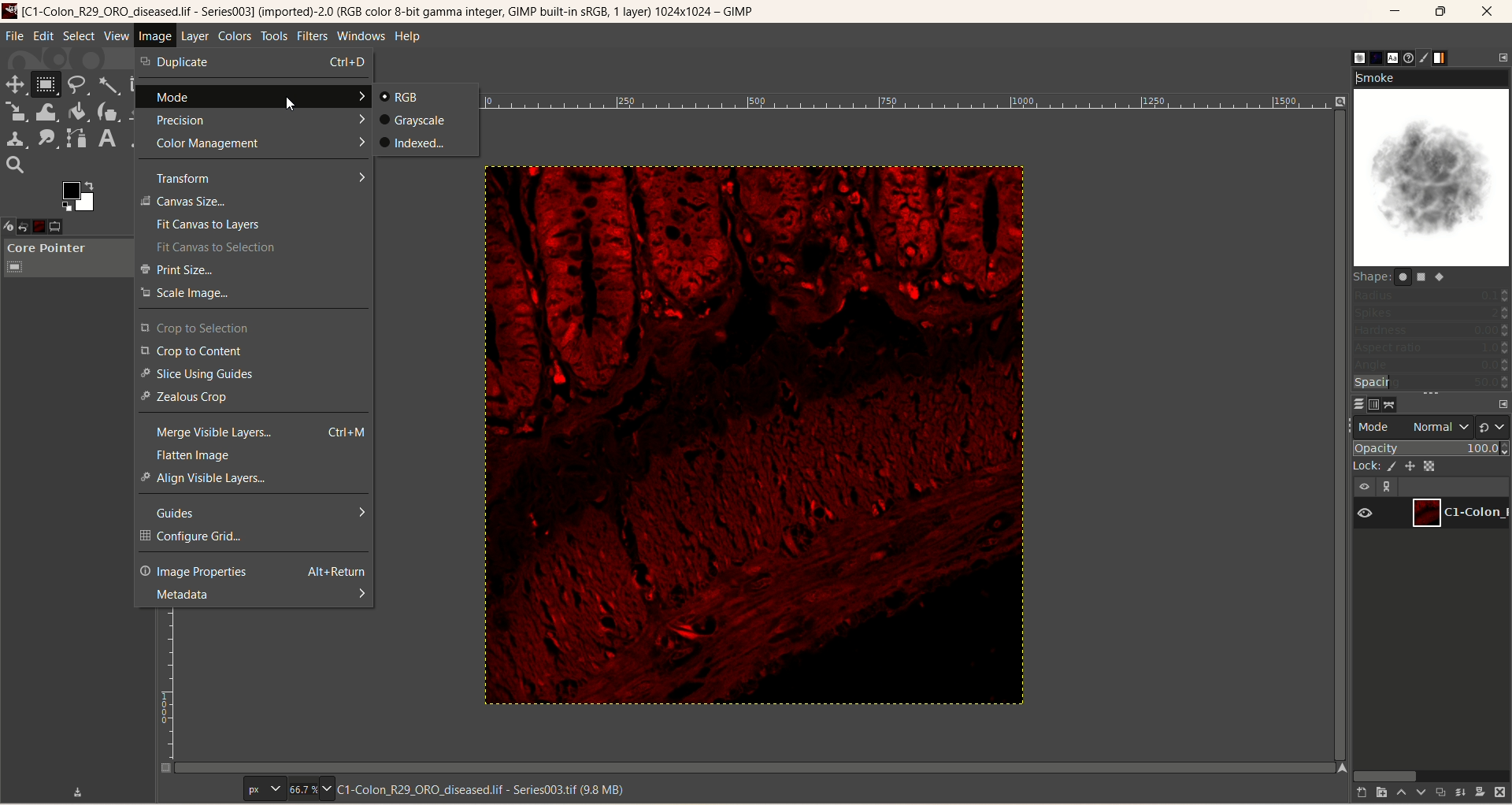 The height and width of the screenshot is (805, 1512). I want to click on colors, so click(235, 36).